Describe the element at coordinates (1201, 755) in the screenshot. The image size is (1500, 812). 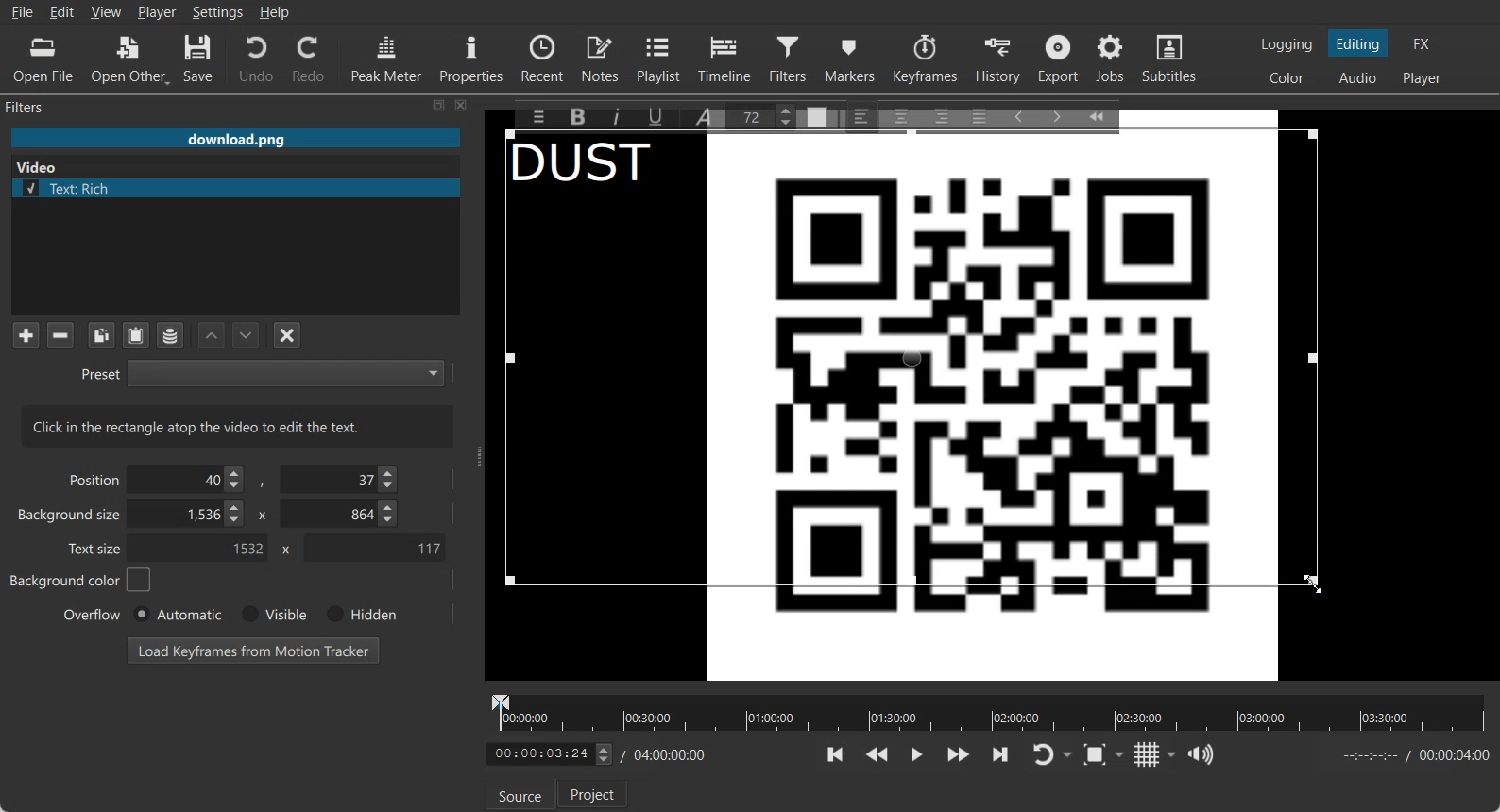
I see `Show the volume control` at that location.